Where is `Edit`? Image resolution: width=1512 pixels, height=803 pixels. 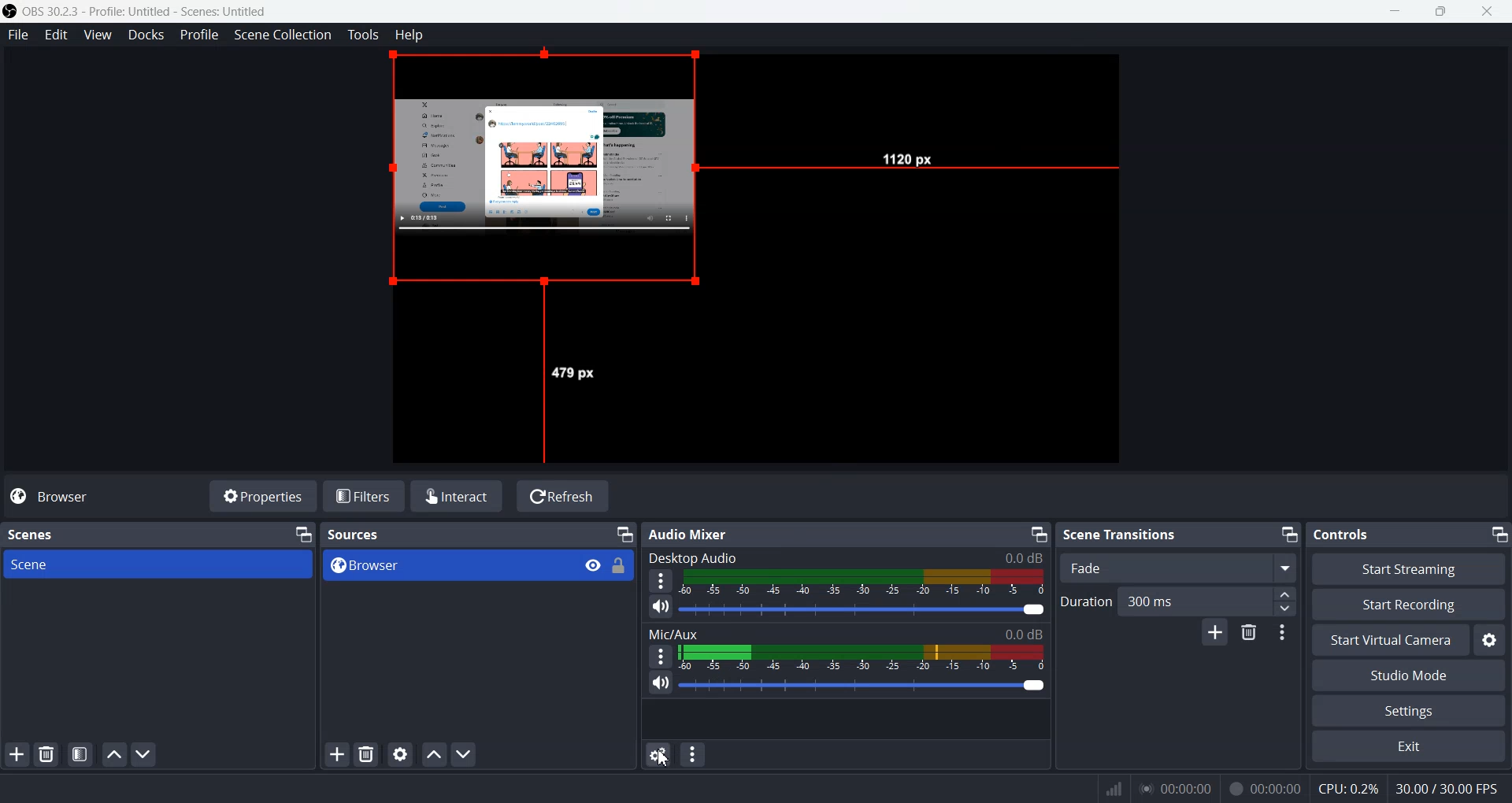 Edit is located at coordinates (57, 35).